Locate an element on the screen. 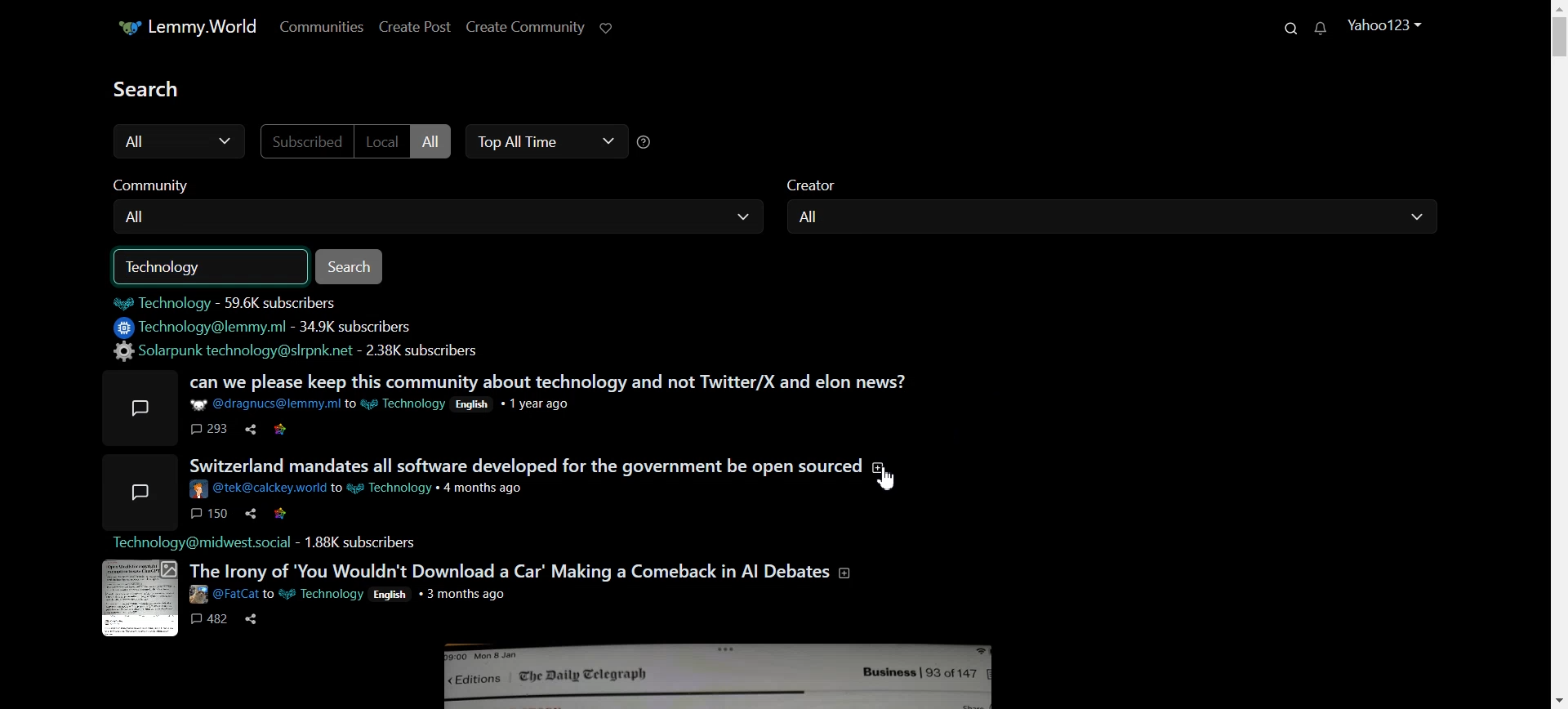 The height and width of the screenshot is (709, 1568). 150 comment is located at coordinates (209, 514).